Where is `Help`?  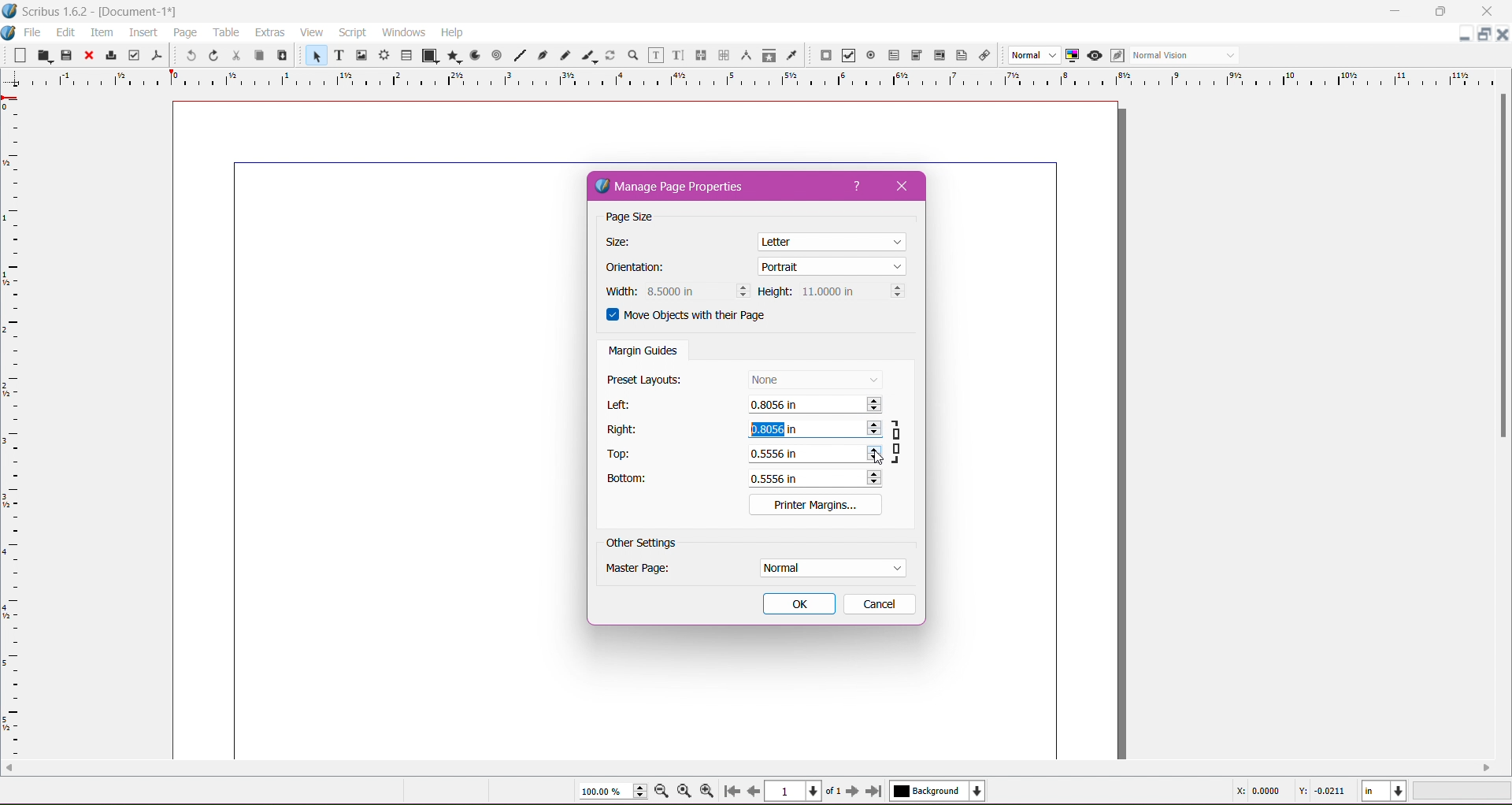 Help is located at coordinates (453, 32).